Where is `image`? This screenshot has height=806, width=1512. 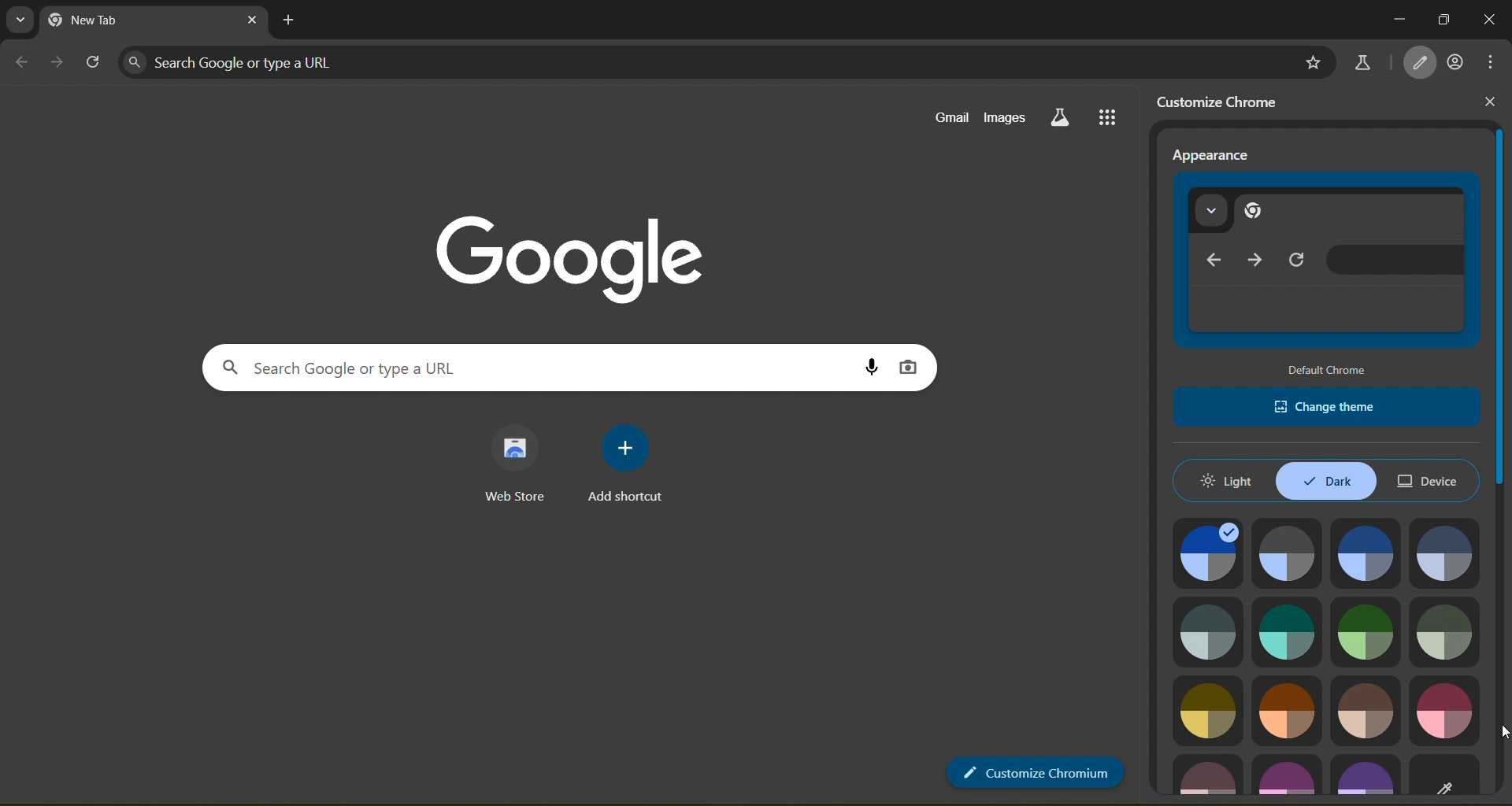
image is located at coordinates (1289, 630).